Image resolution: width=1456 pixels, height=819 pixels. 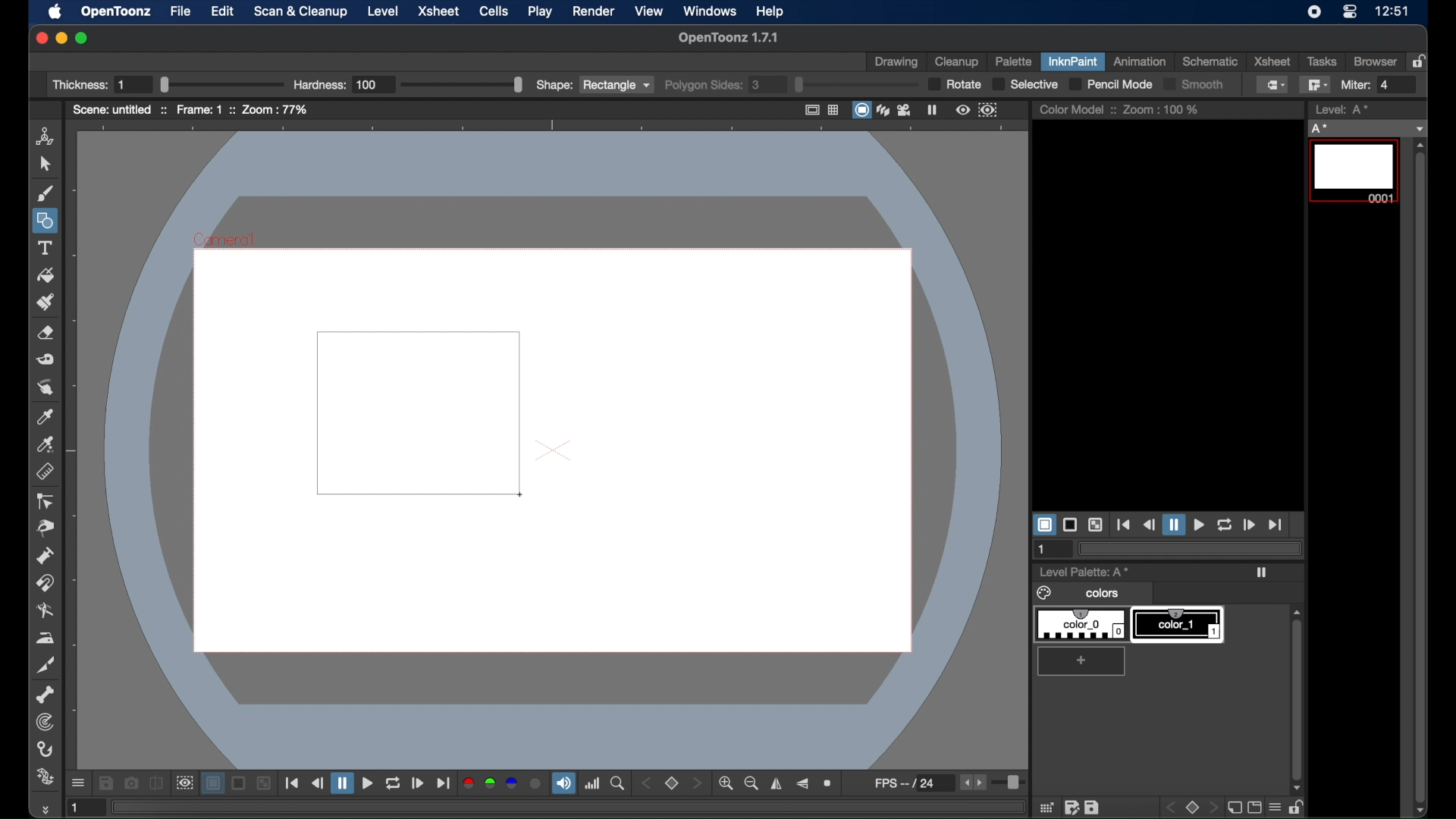 I want to click on xsheet, so click(x=441, y=12).